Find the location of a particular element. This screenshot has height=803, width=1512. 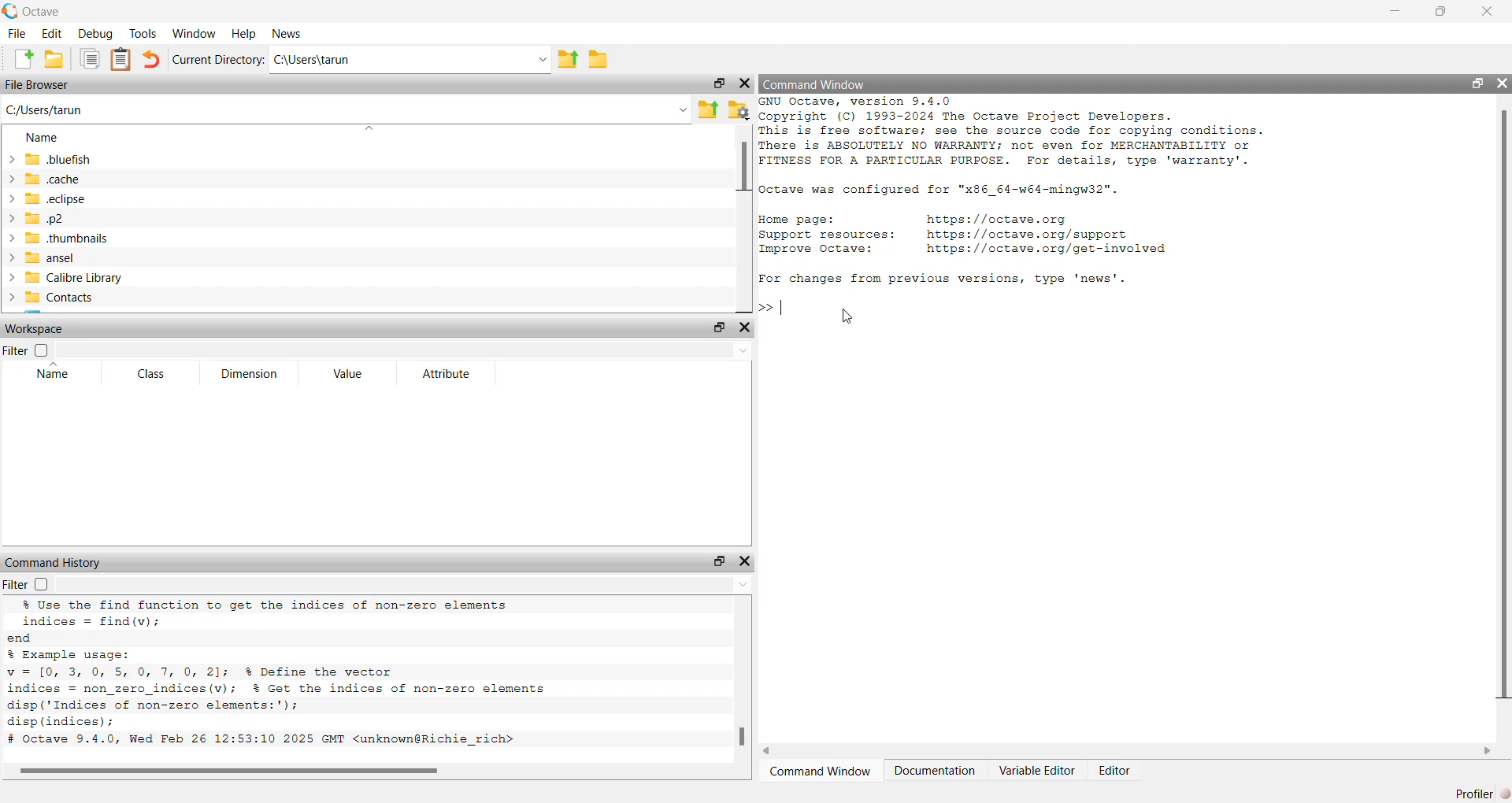

Dimension is located at coordinates (249, 373).